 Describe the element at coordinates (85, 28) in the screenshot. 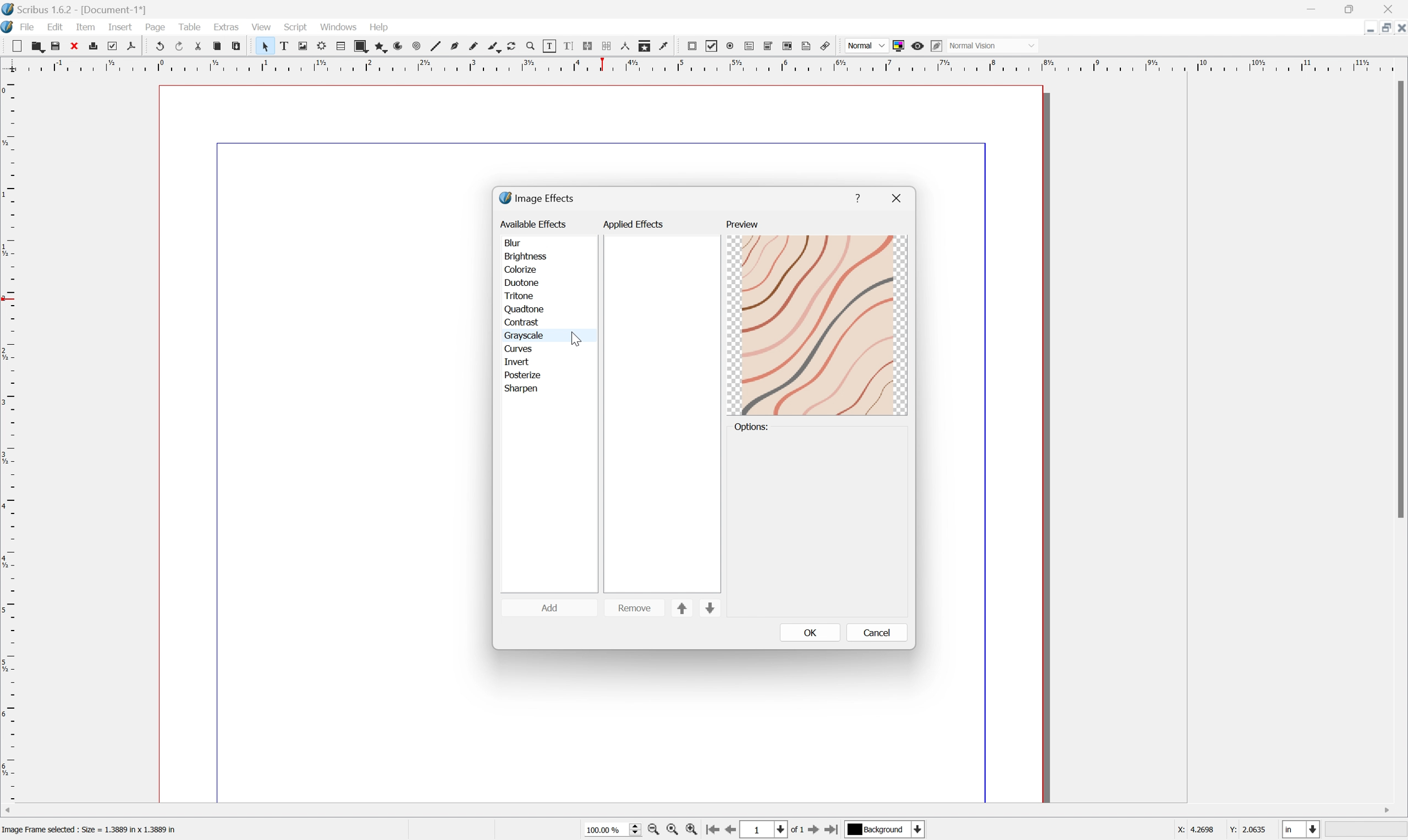

I see `Item` at that location.